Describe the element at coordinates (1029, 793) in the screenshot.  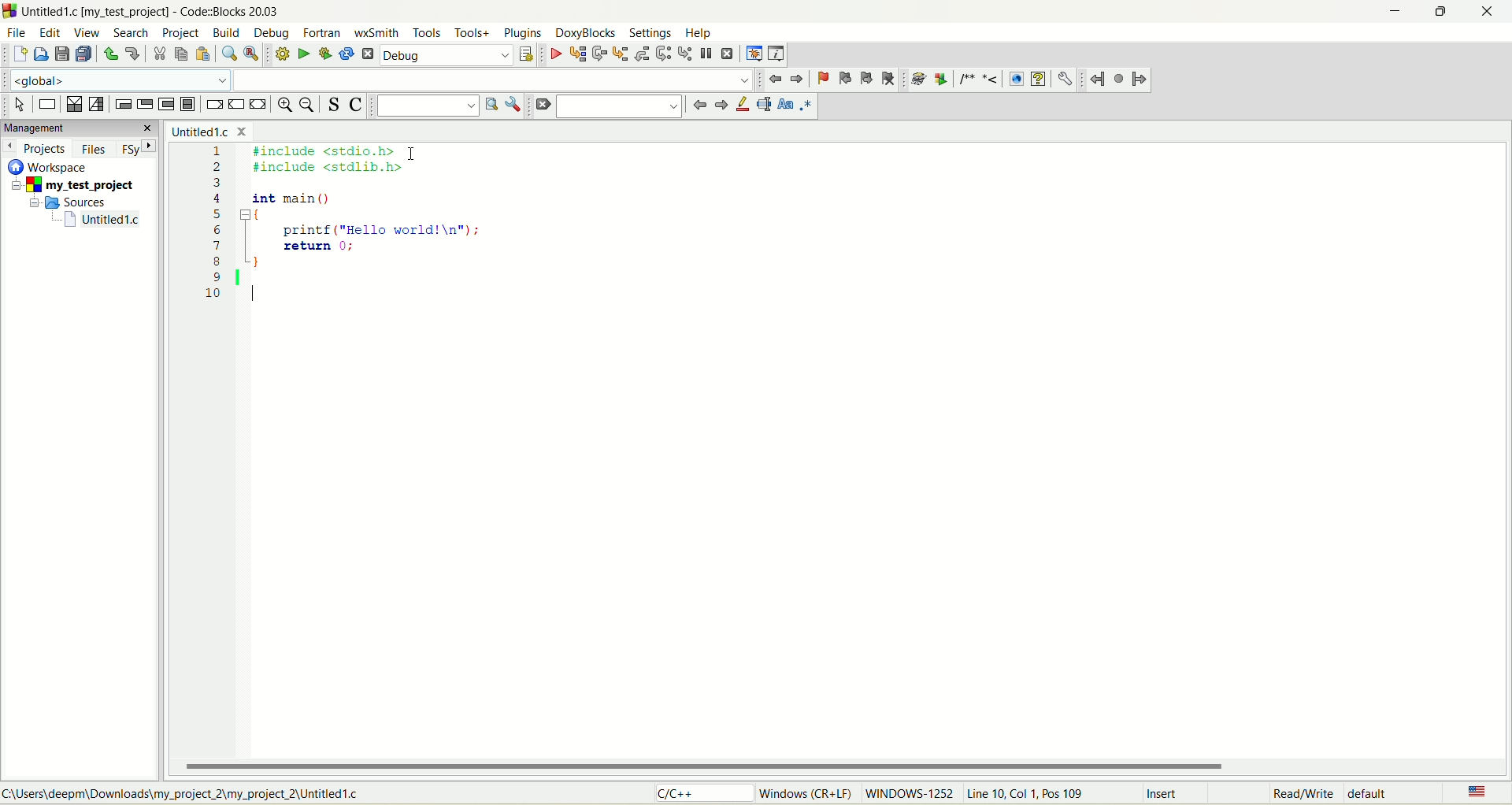
I see `Line 10, Col 1, Pos 109` at that location.